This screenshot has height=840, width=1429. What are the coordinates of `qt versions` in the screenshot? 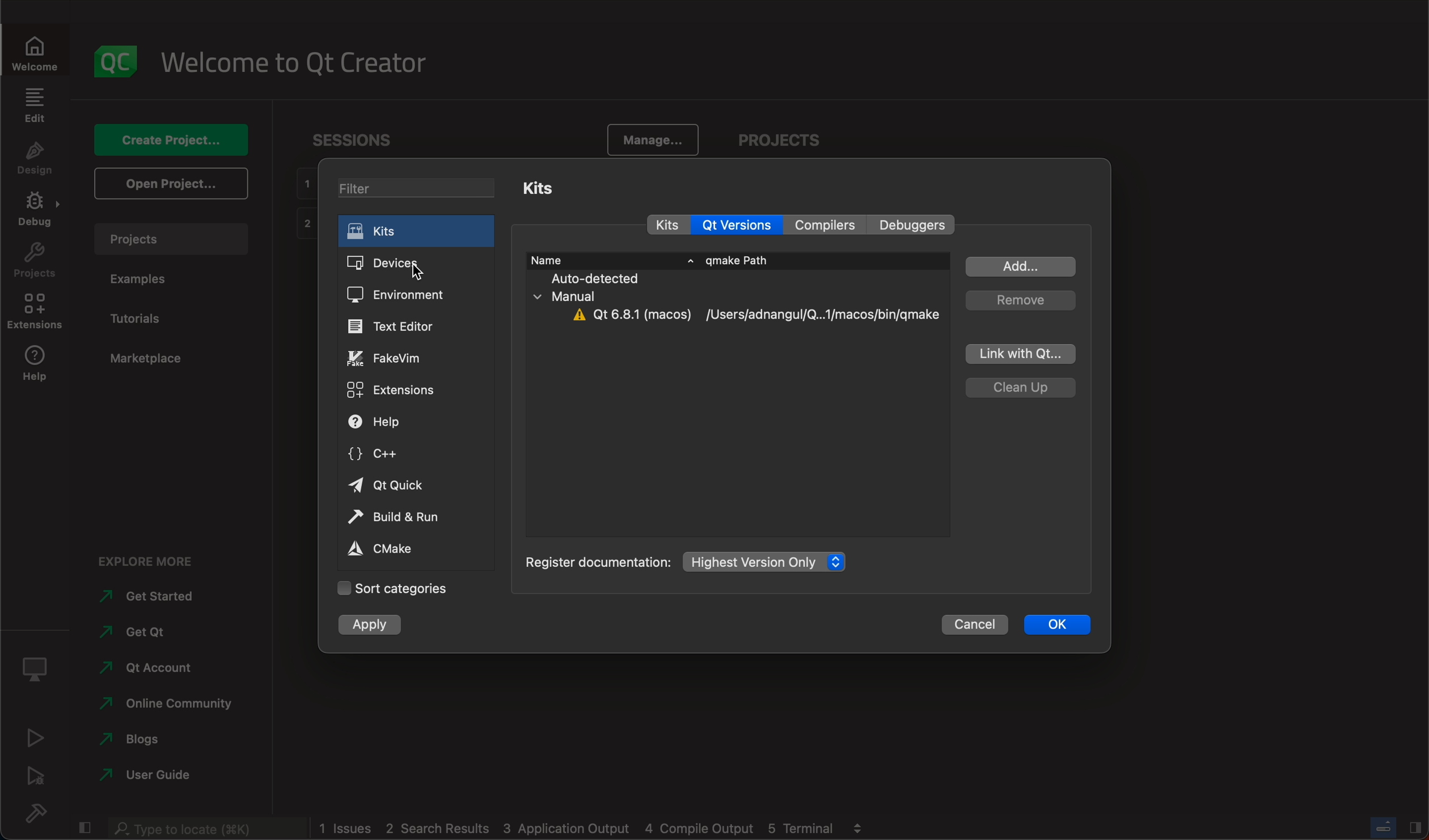 It's located at (740, 224).